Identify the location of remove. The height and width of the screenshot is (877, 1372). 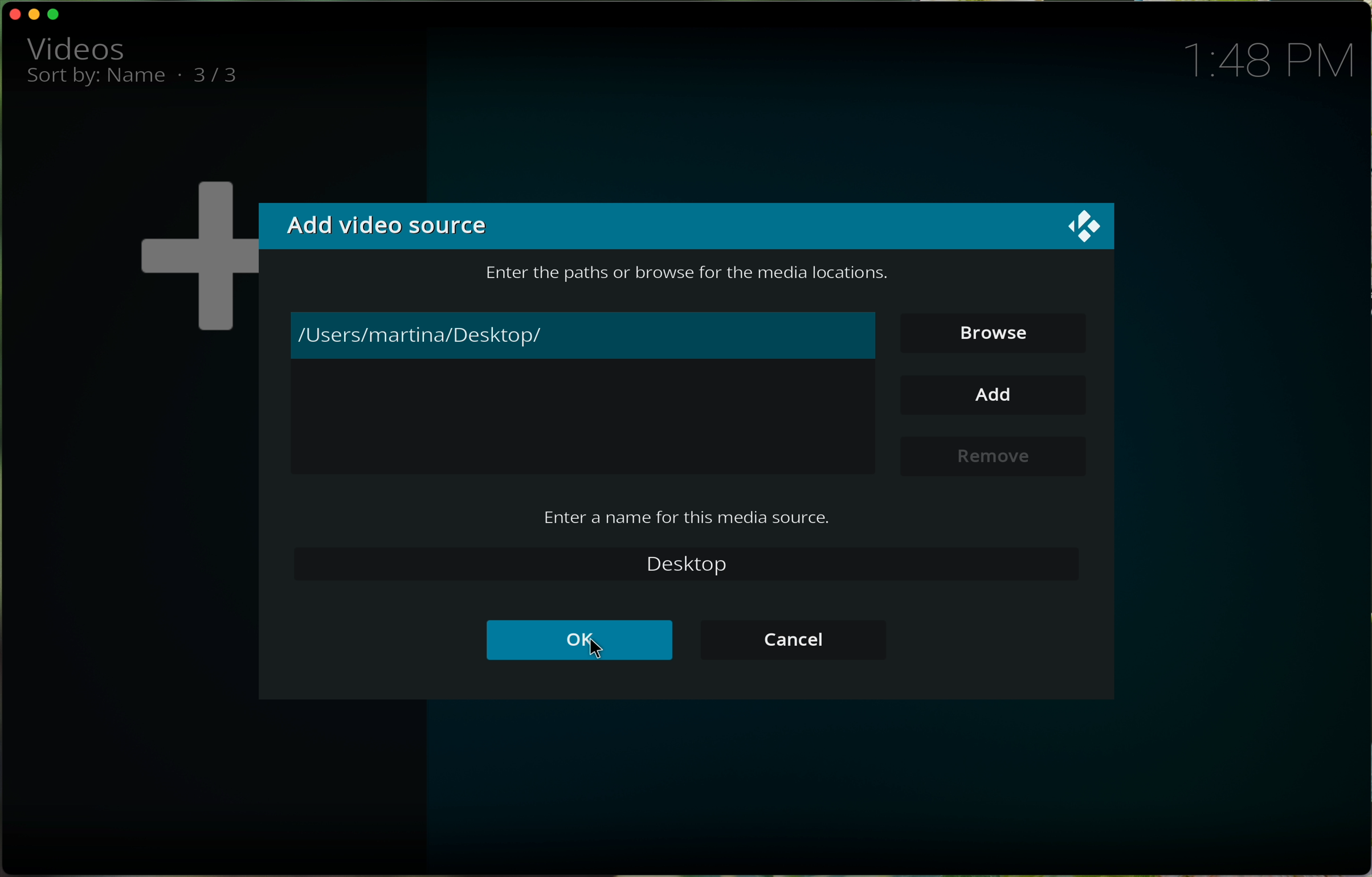
(991, 455).